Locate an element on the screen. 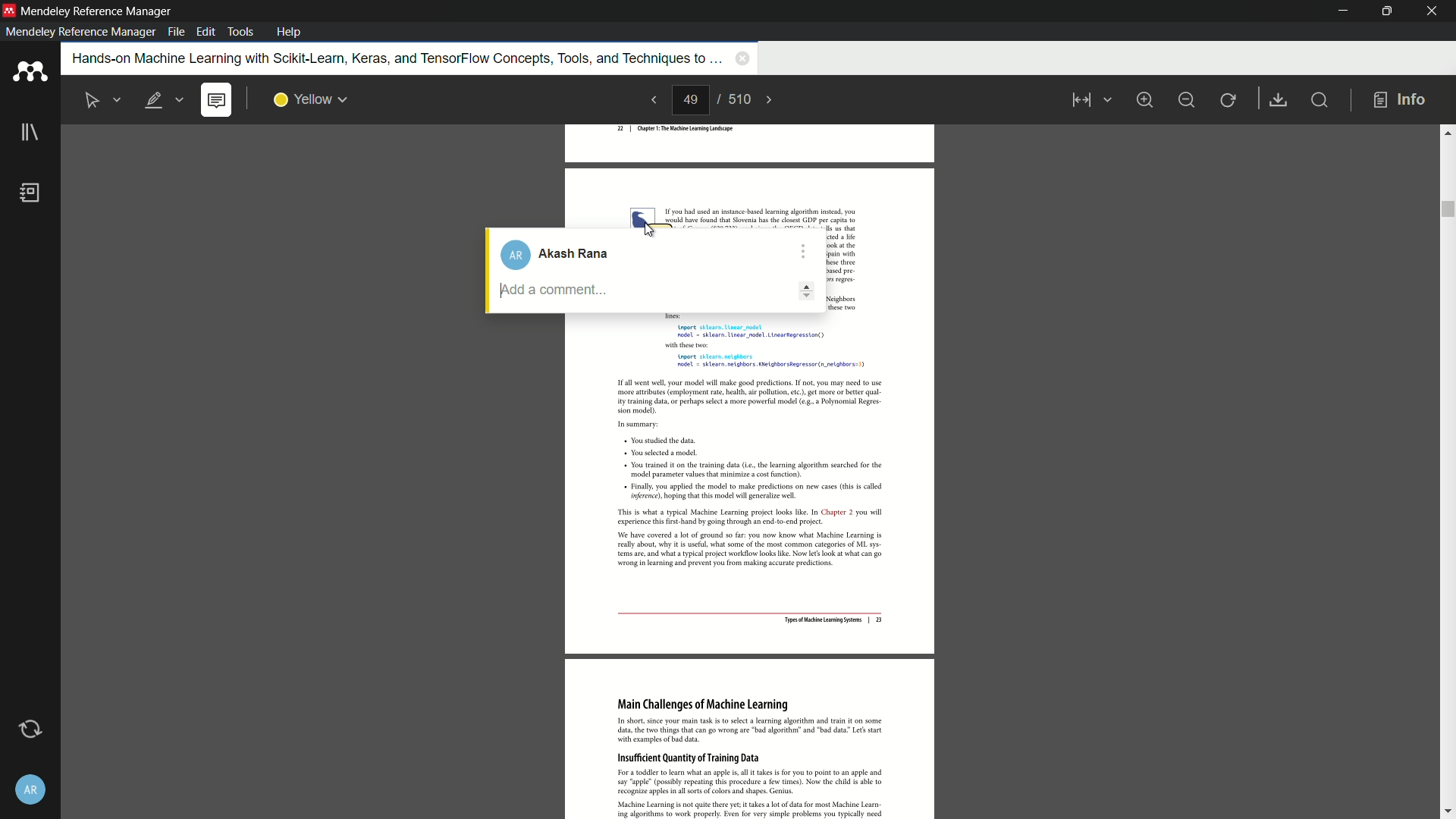 This screenshot has width=1456, height=819. cursor is located at coordinates (655, 229).